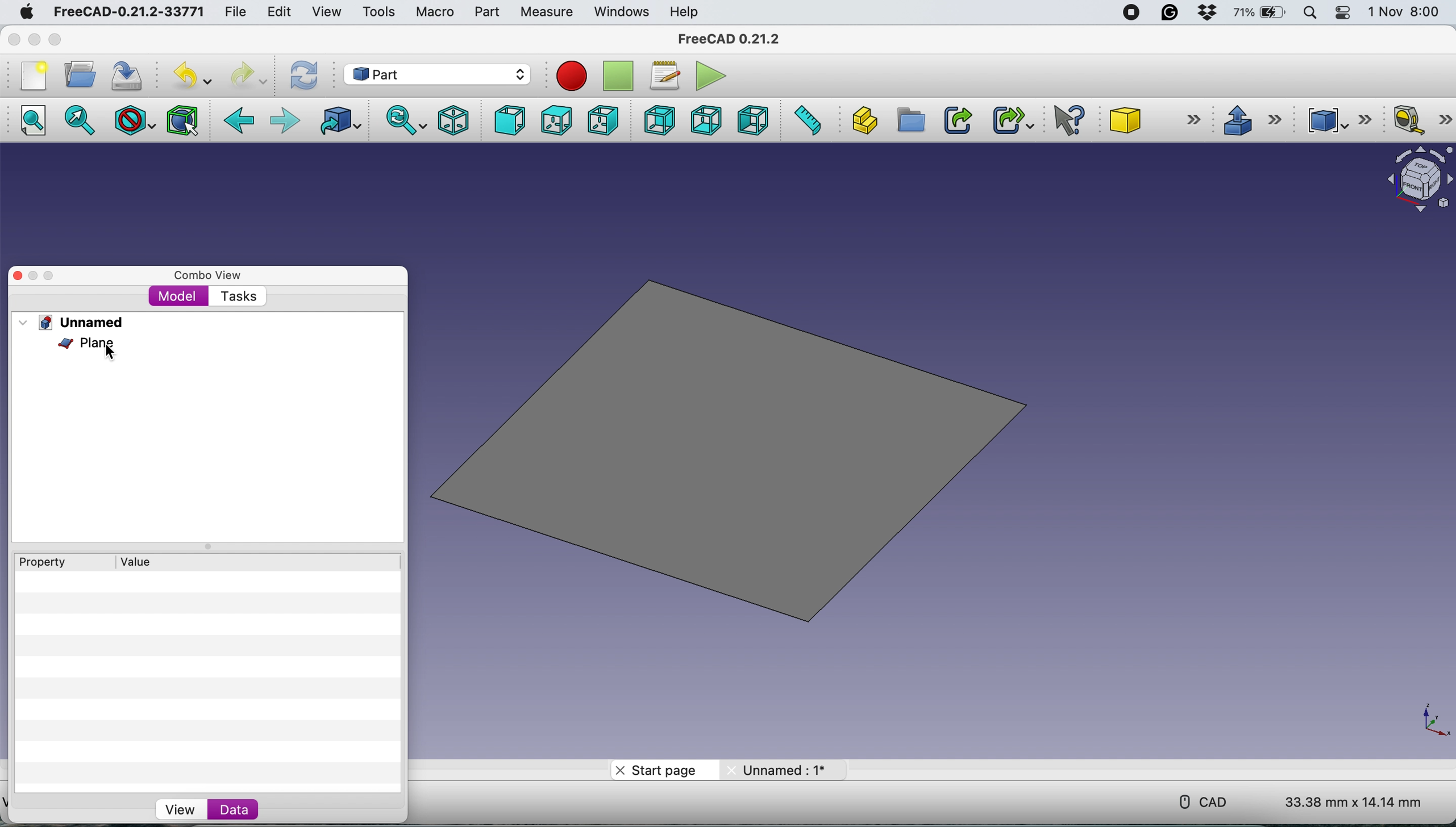 This screenshot has height=827, width=1456. What do you see at coordinates (1428, 722) in the screenshot?
I see `xy coordinate` at bounding box center [1428, 722].